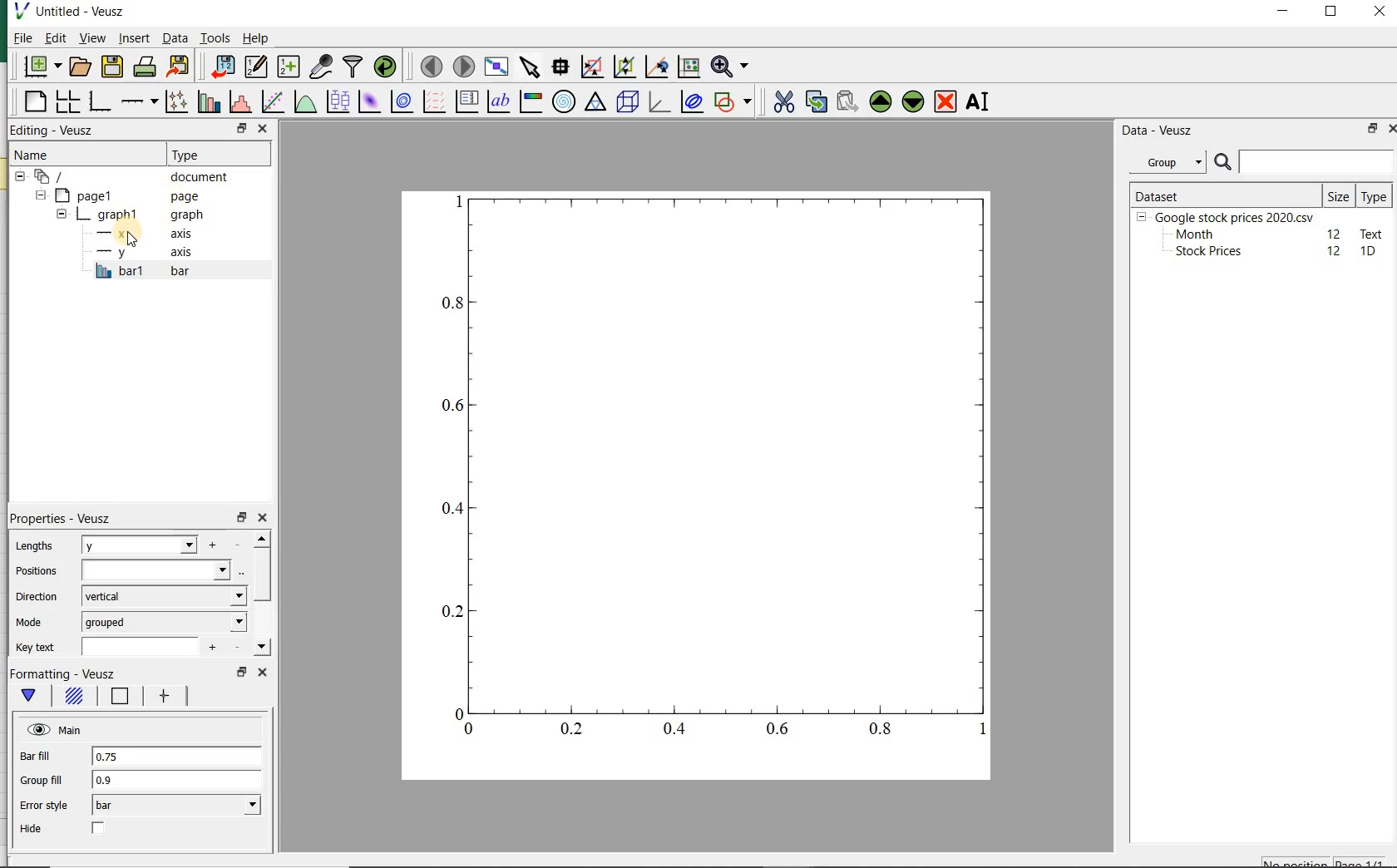 The image size is (1397, 868). I want to click on reload linked datasets, so click(388, 67).